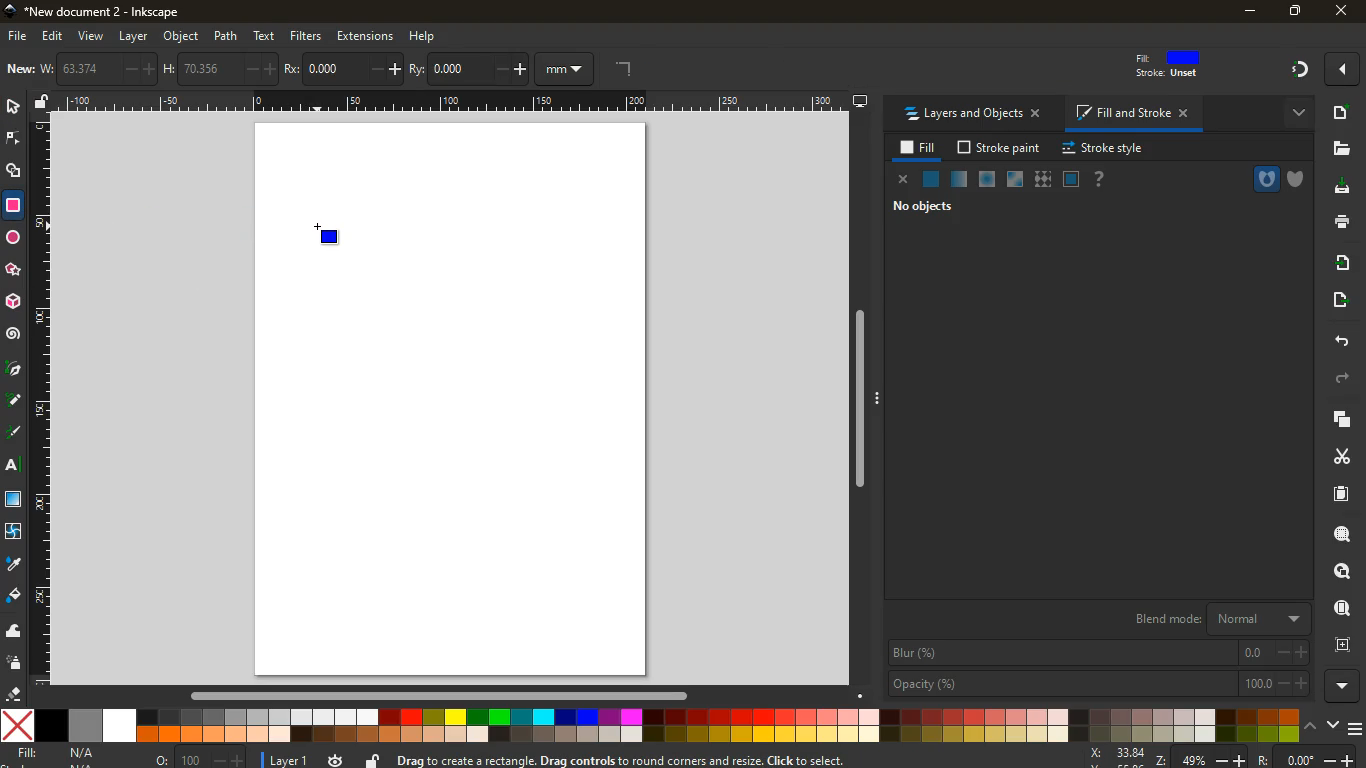 This screenshot has height=768, width=1366. I want to click on blend mode, so click(1222, 618).